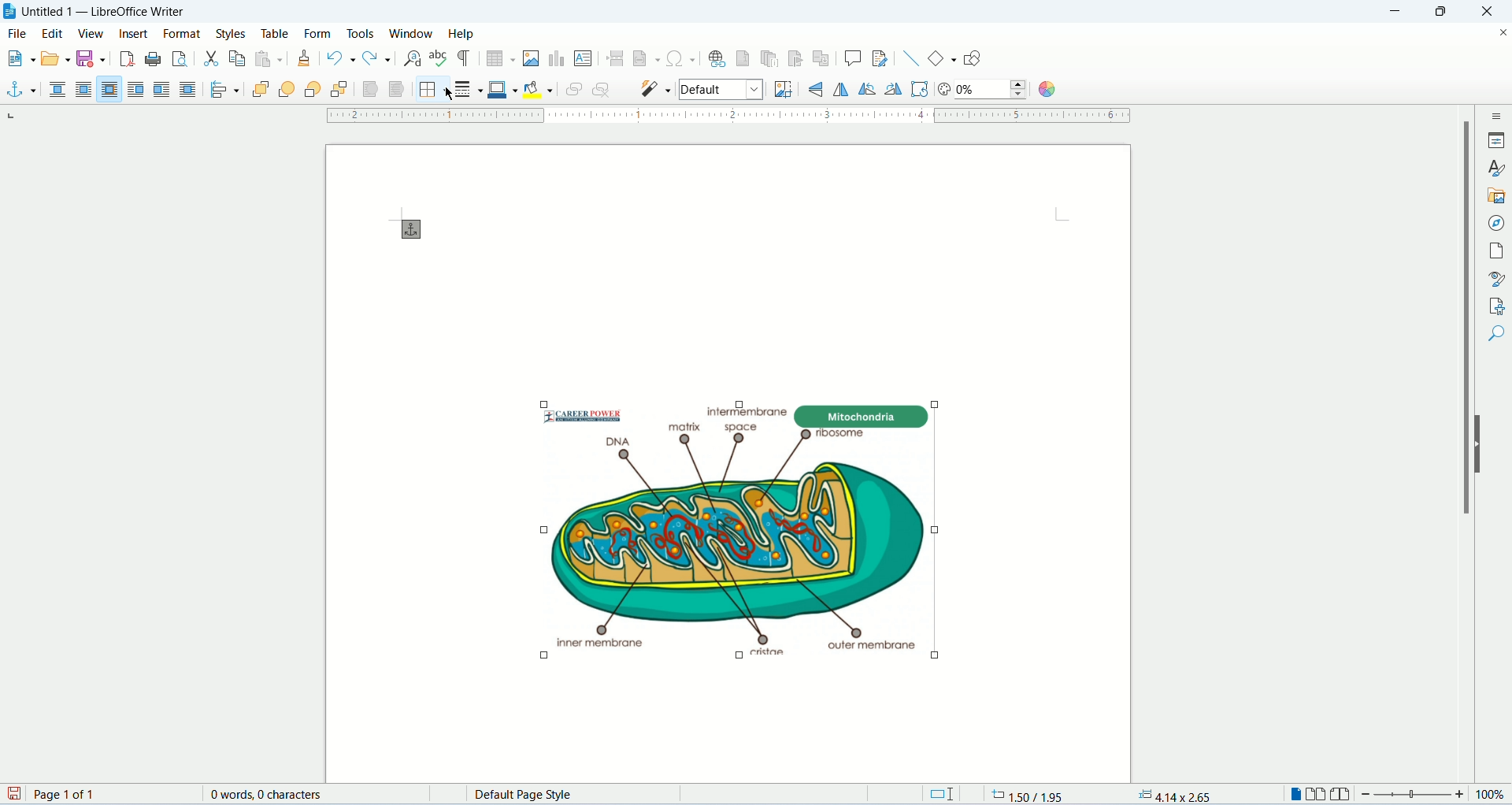  Describe the element at coordinates (459, 33) in the screenshot. I see `help` at that location.